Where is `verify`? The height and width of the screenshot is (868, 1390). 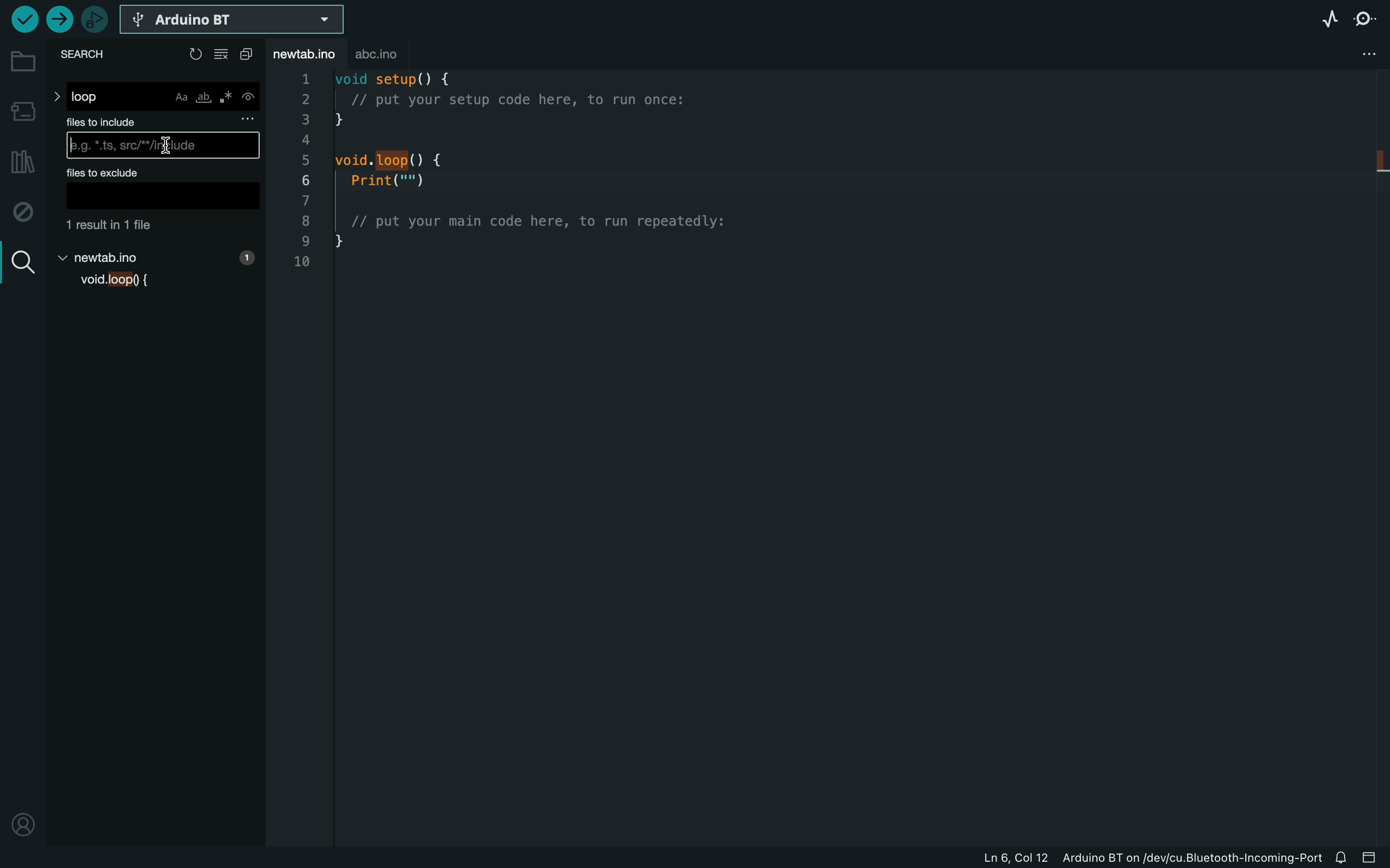 verify is located at coordinates (21, 20).